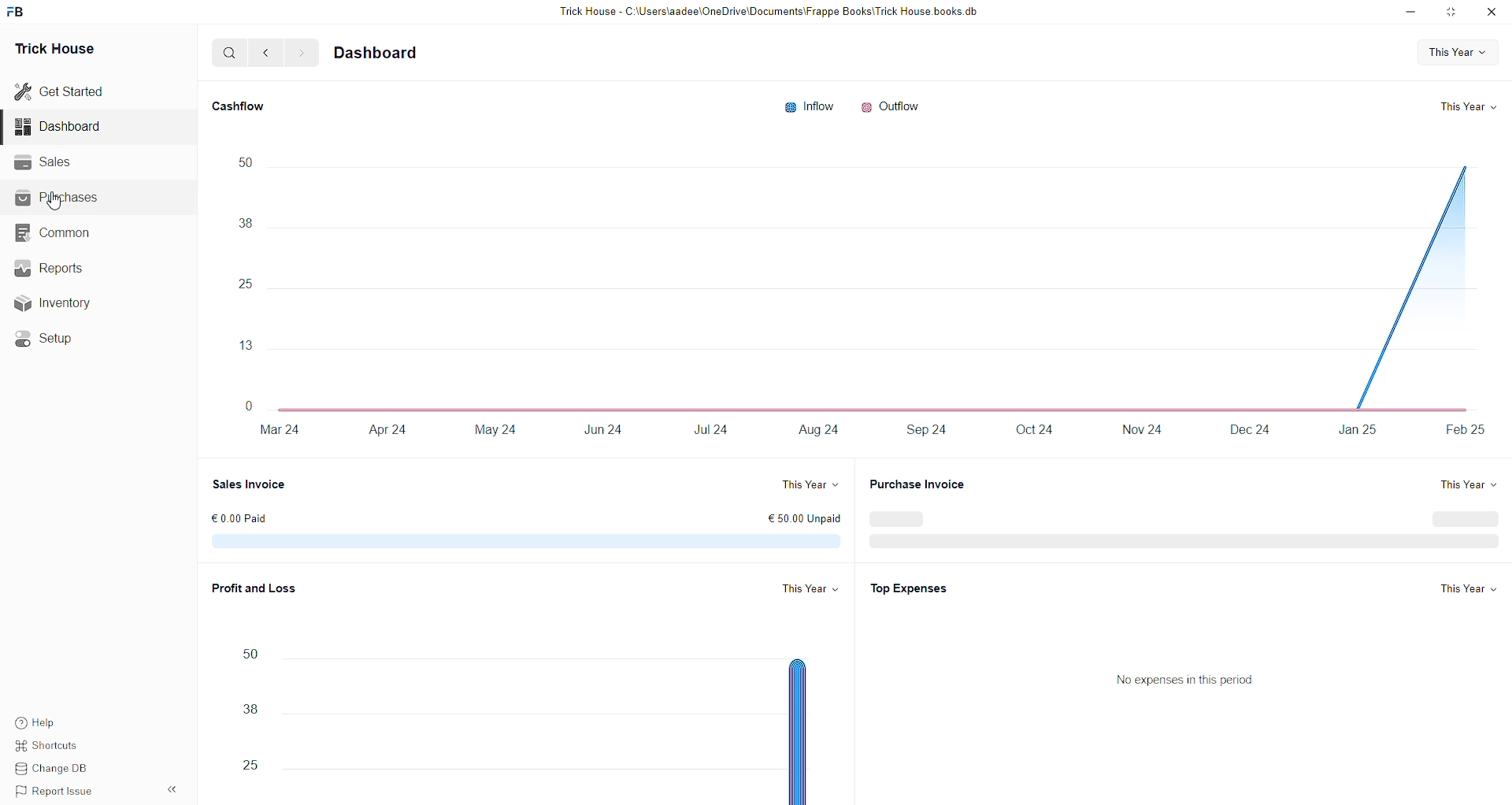 This screenshot has width=1512, height=805. I want to click on Jan 25, so click(1353, 432).